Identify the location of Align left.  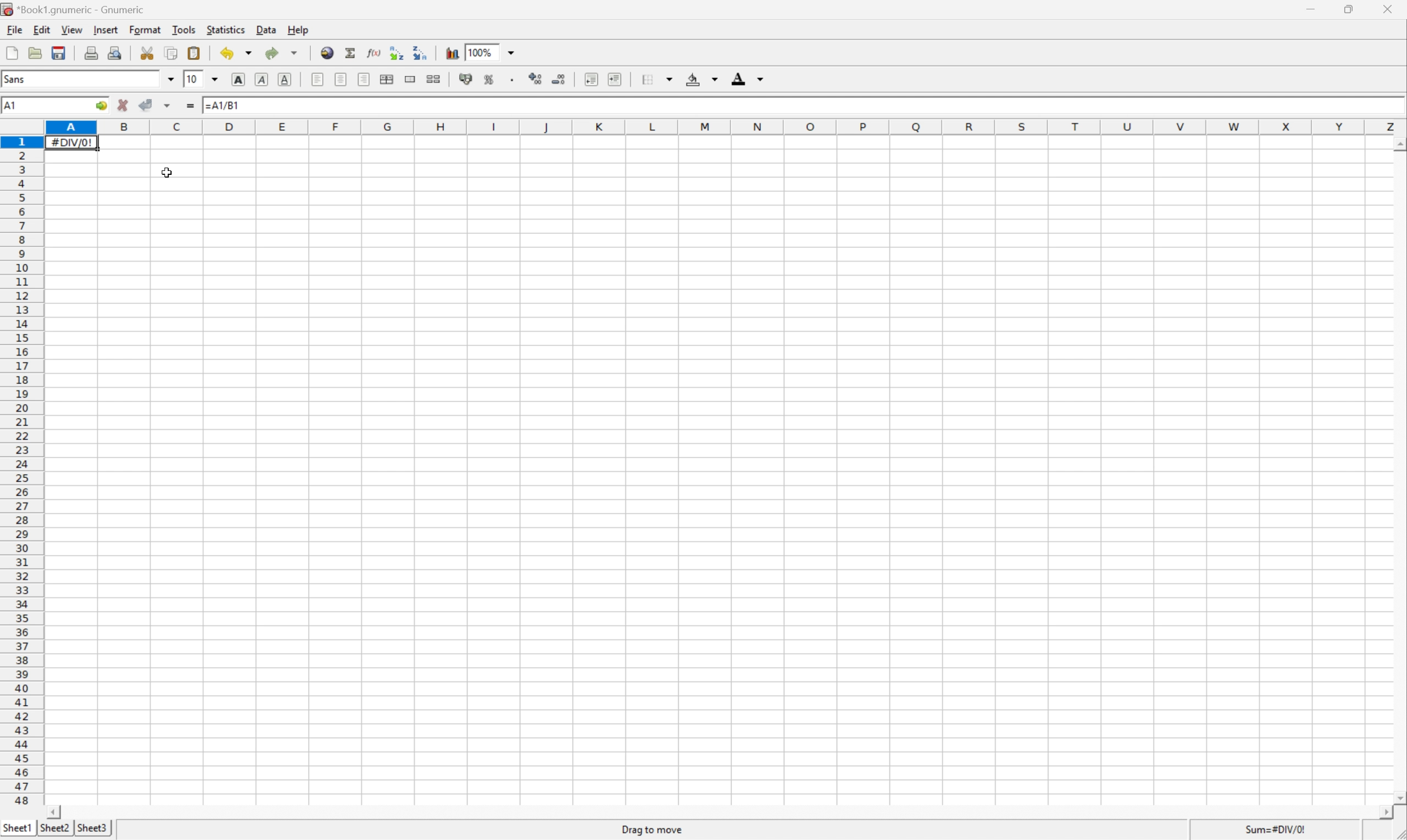
(319, 80).